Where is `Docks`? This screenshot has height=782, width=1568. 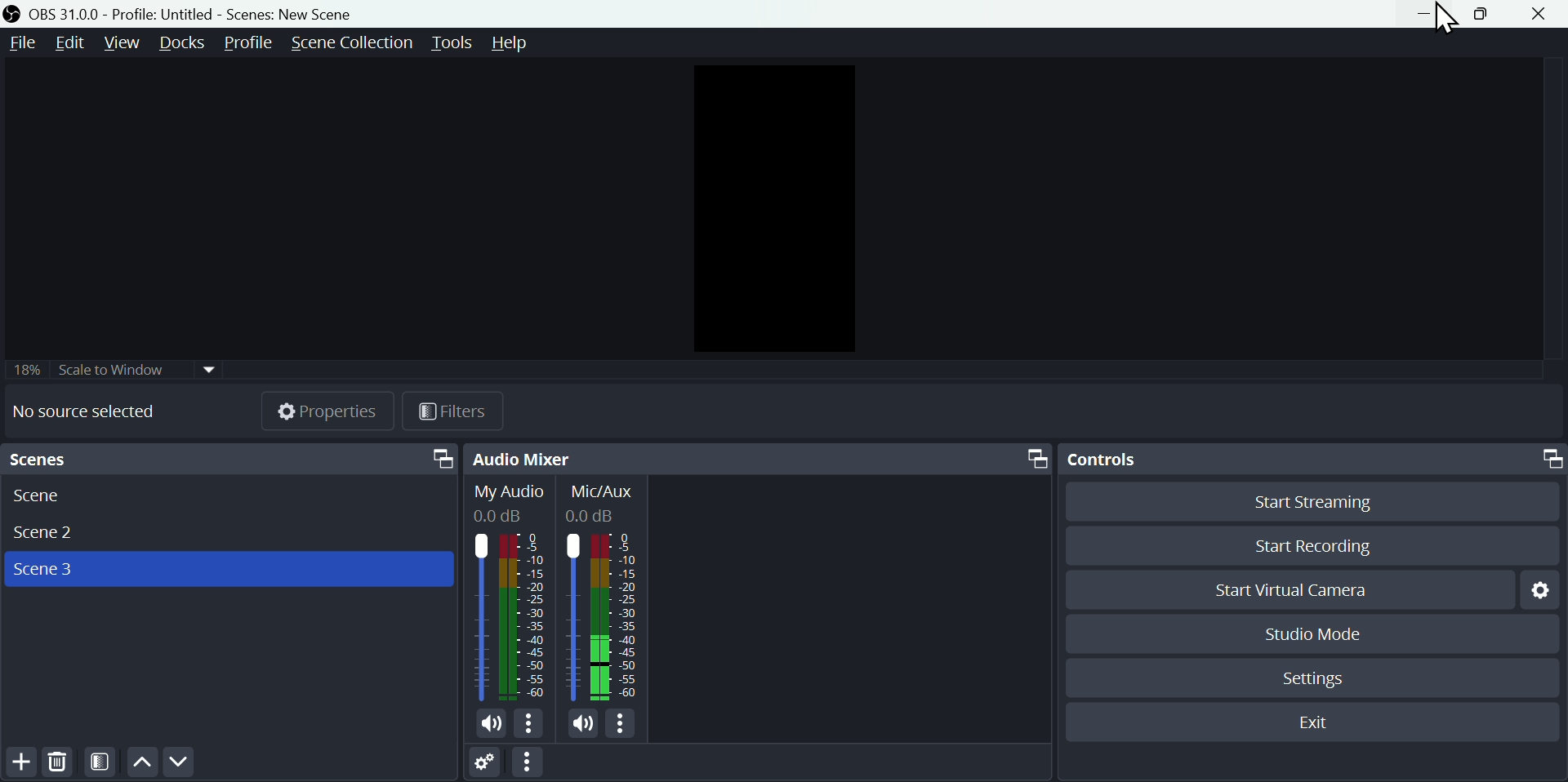
Docks is located at coordinates (186, 43).